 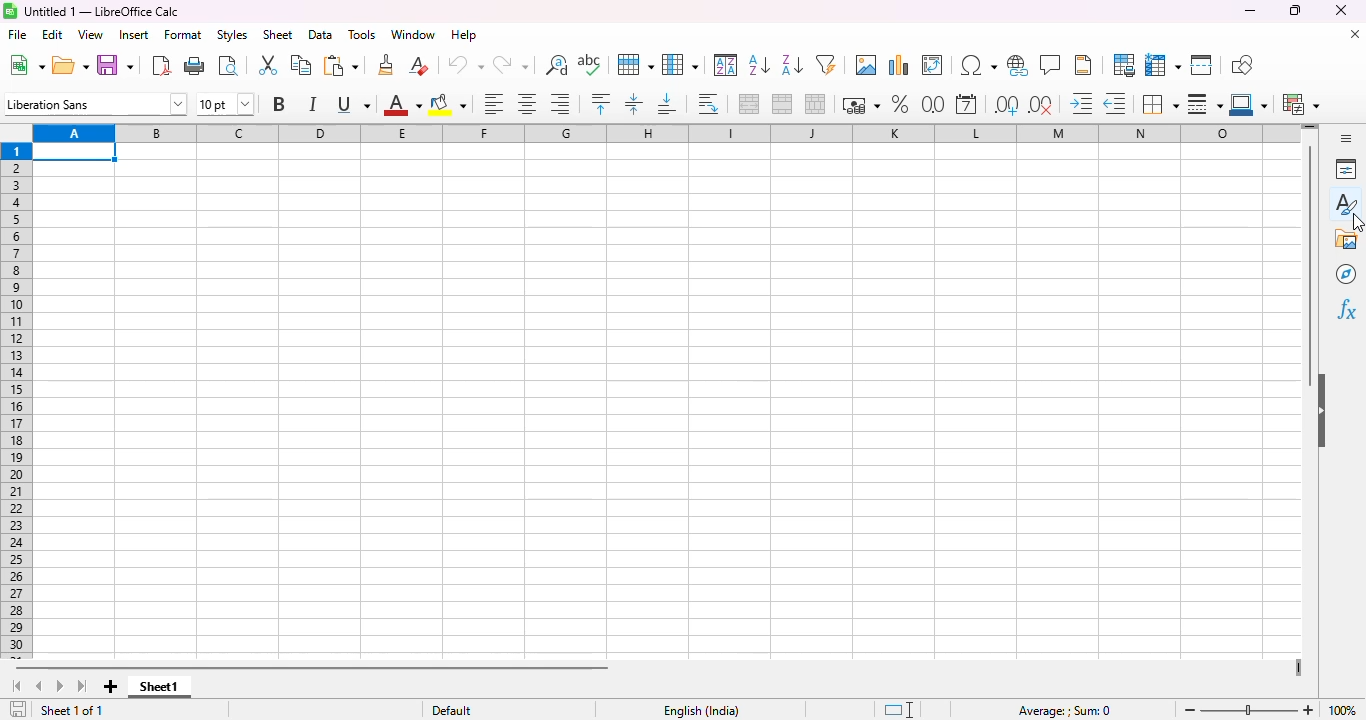 What do you see at coordinates (10, 11) in the screenshot?
I see `logo` at bounding box center [10, 11].